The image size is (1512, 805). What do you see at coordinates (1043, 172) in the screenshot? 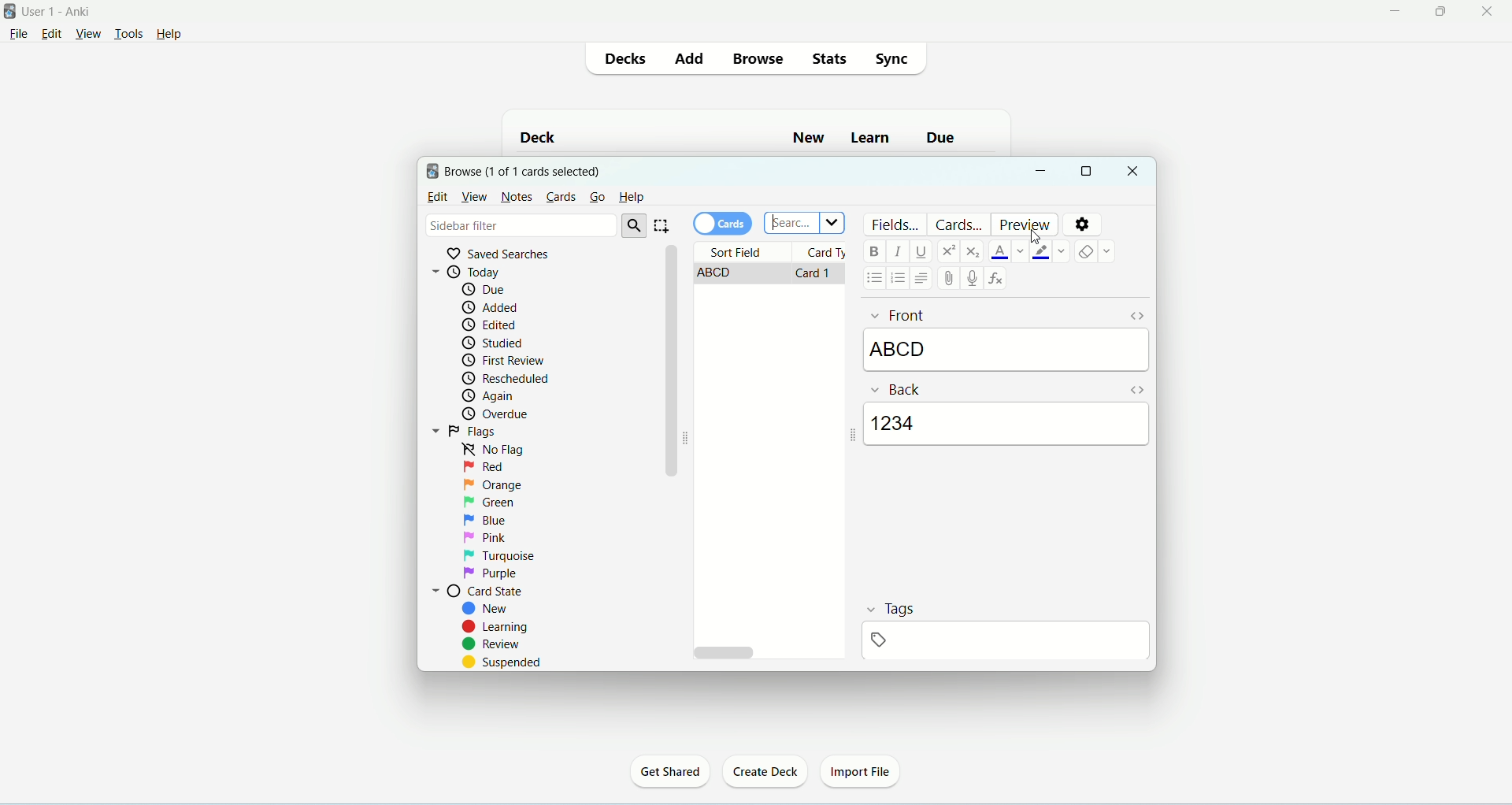
I see `minimize` at bounding box center [1043, 172].